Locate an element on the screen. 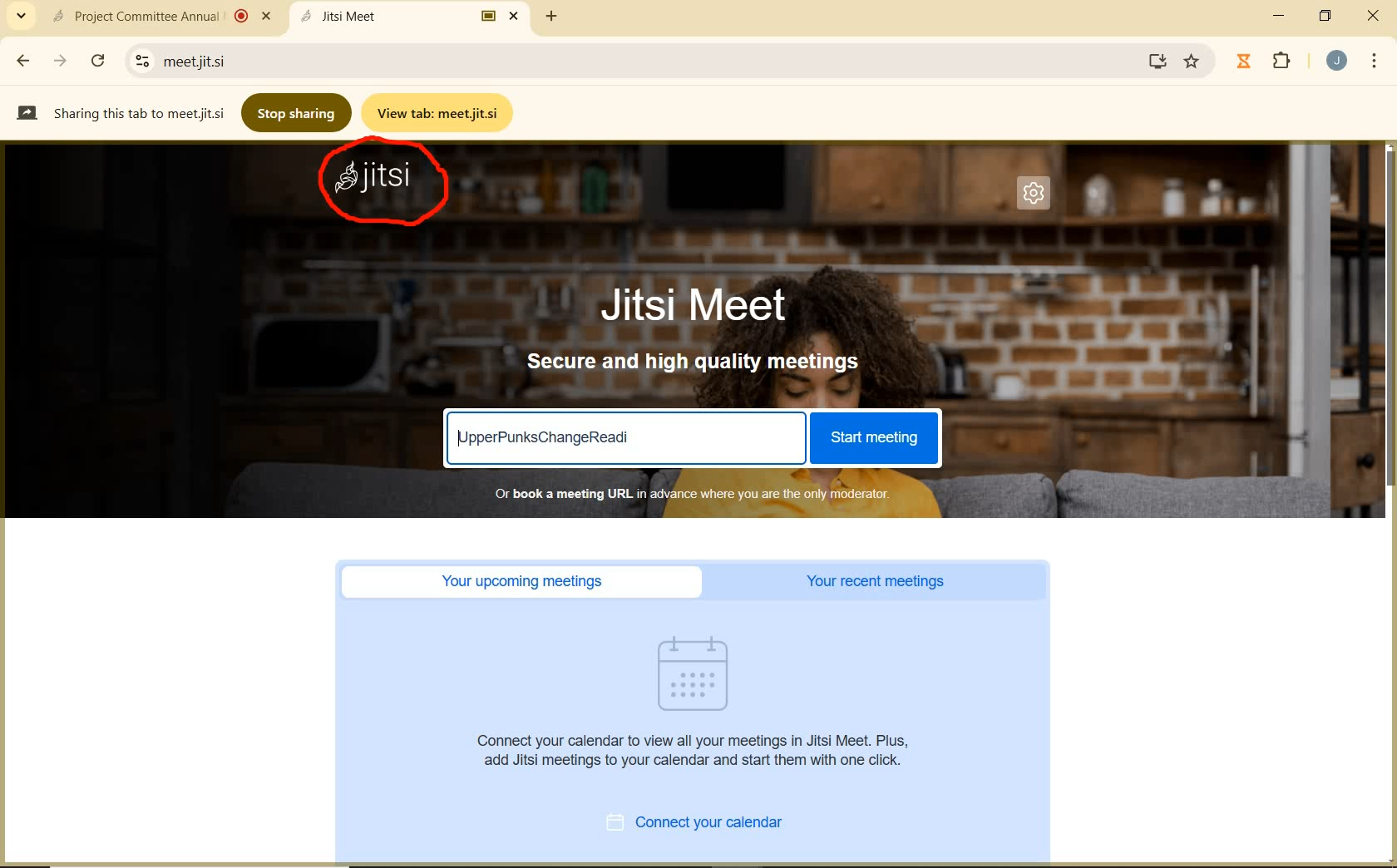 This screenshot has height=868, width=1397. meet.jit.si is located at coordinates (263, 61).